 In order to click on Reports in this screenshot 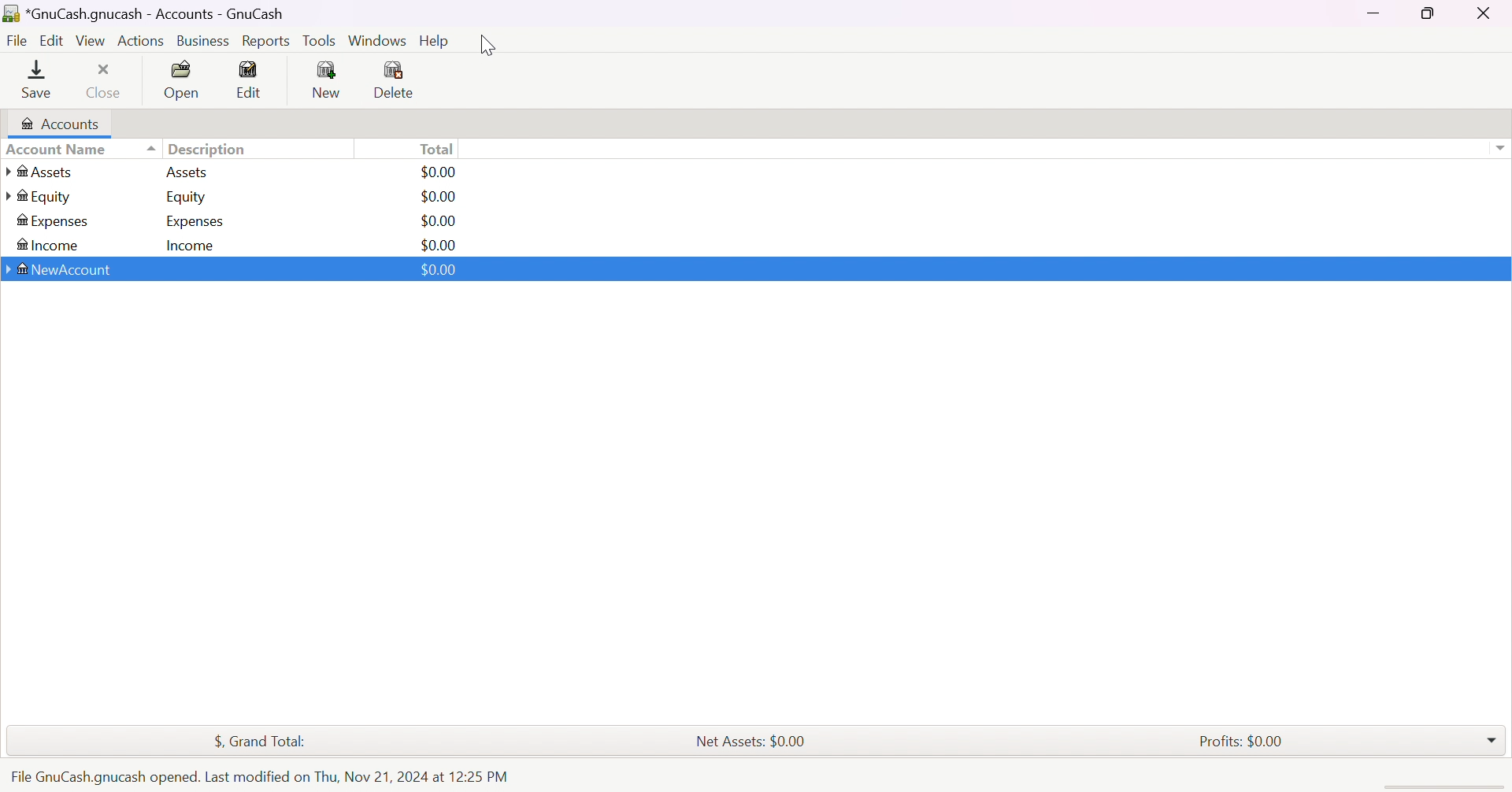, I will do `click(270, 41)`.